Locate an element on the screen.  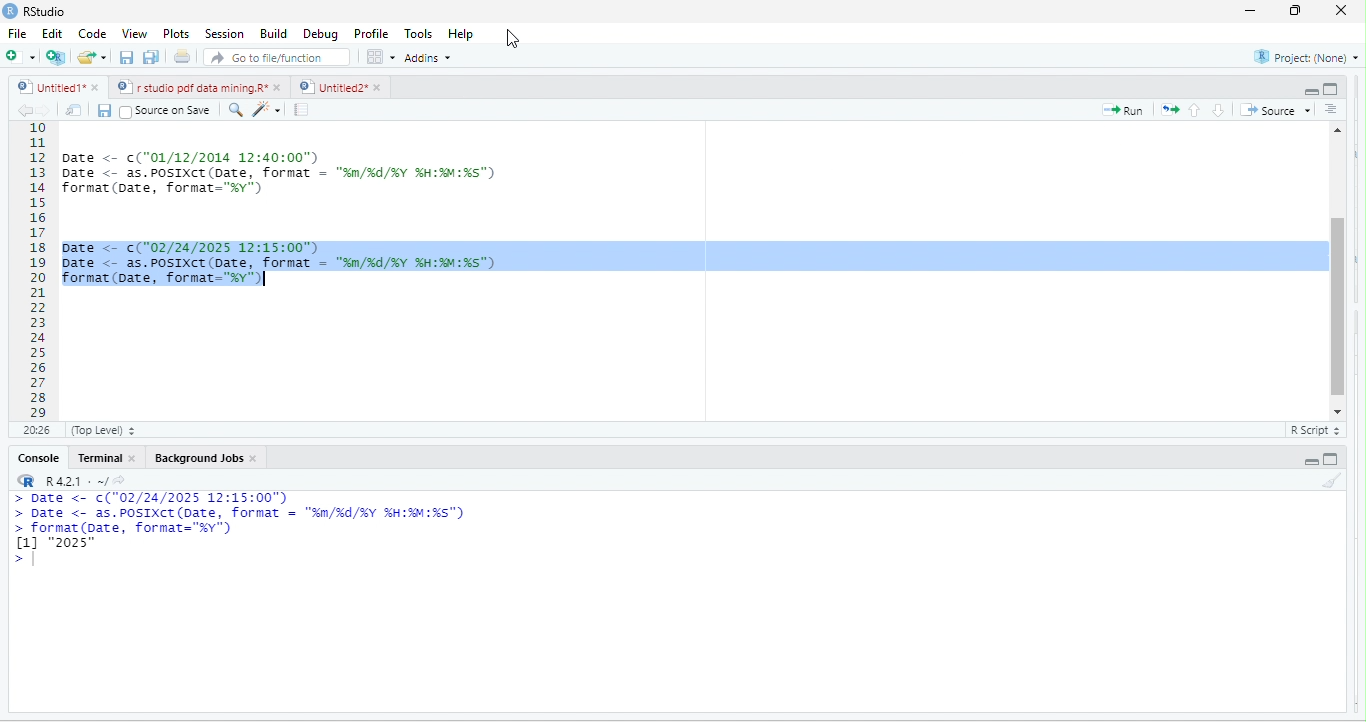
hide r script is located at coordinates (1308, 86).